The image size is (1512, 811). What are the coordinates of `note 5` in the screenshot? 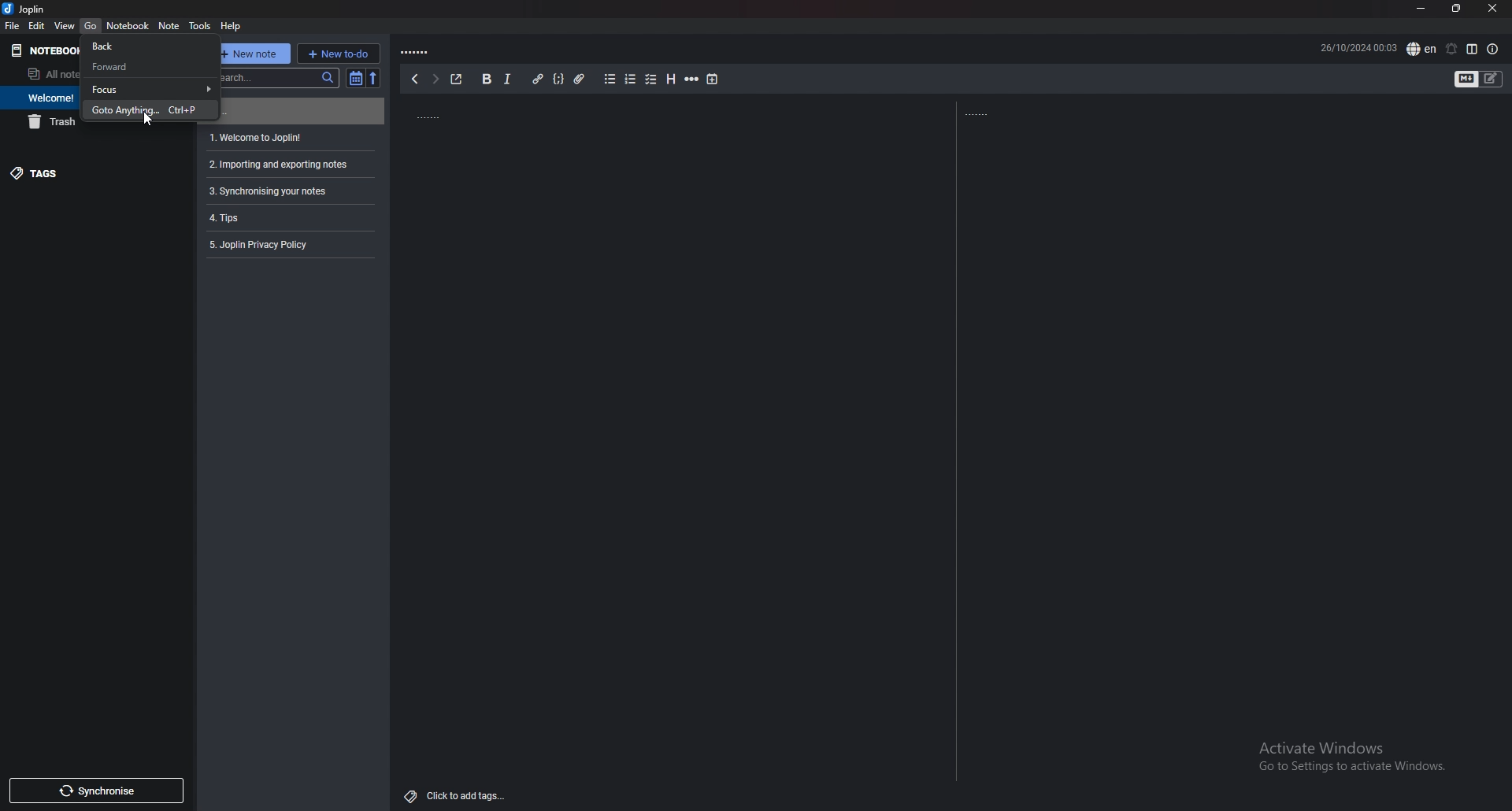 It's located at (287, 217).